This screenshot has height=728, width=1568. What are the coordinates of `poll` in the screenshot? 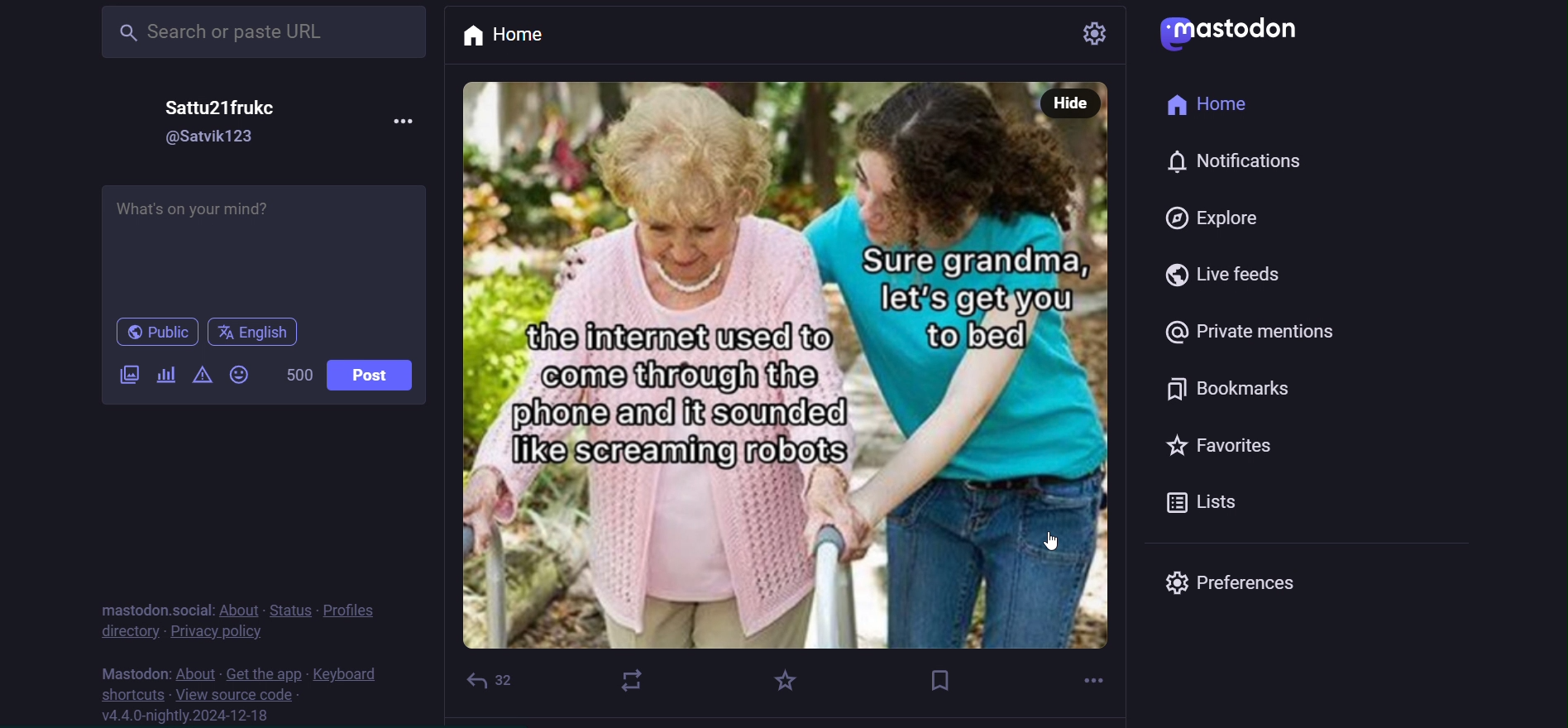 It's located at (165, 376).